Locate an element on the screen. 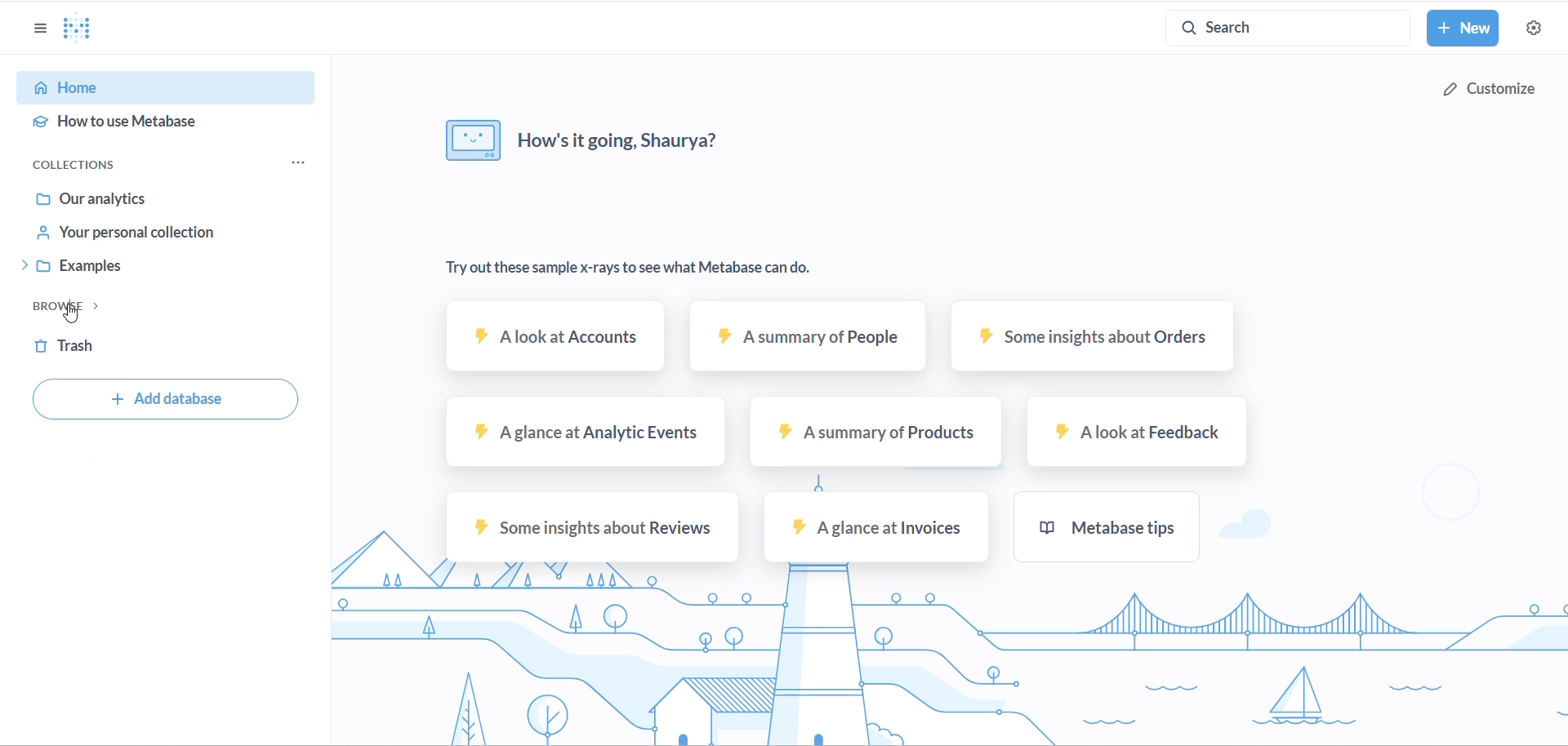  show/hide sidebar is located at coordinates (38, 33).